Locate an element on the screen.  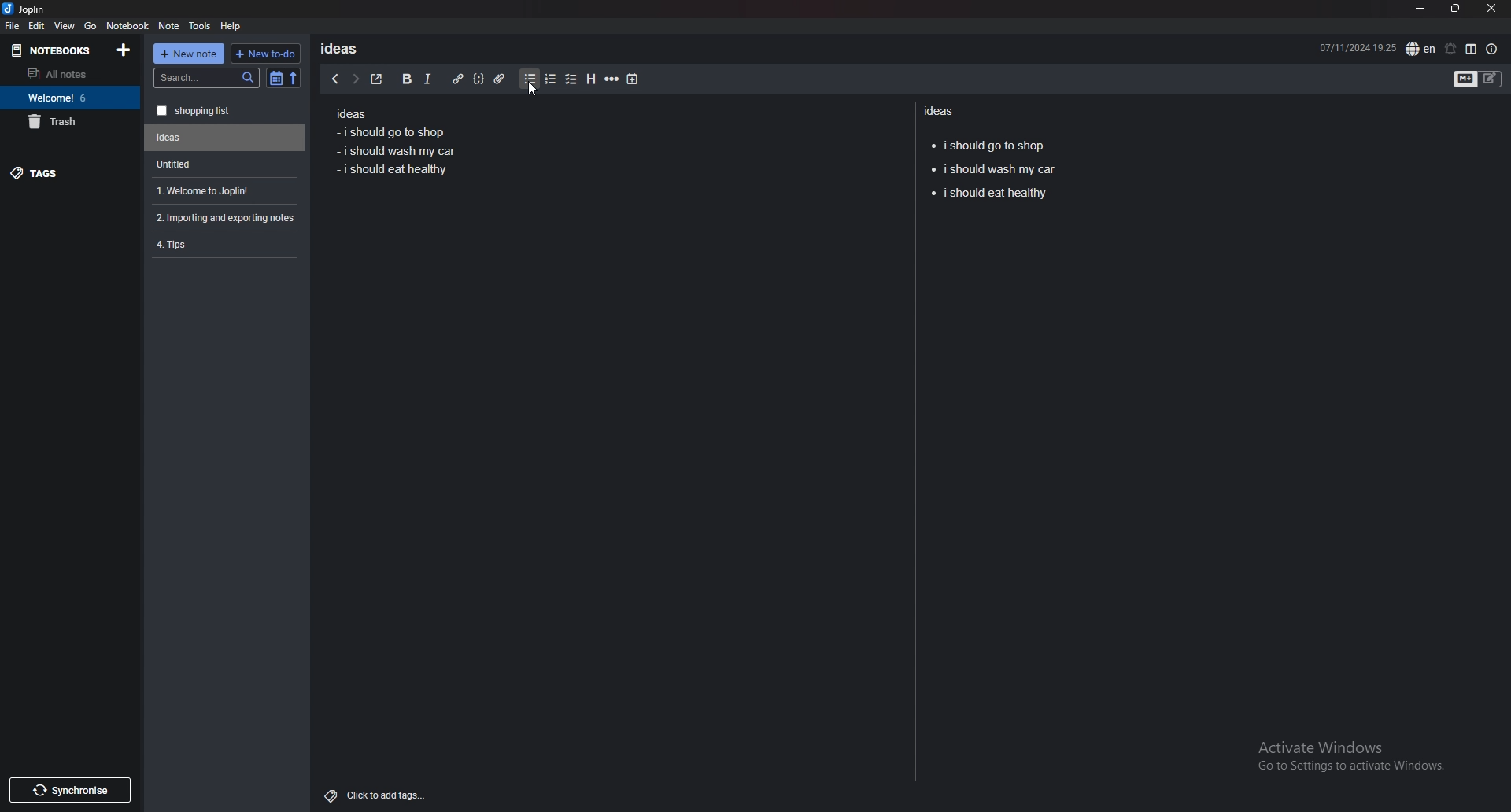
toggle editors is located at coordinates (1478, 80).